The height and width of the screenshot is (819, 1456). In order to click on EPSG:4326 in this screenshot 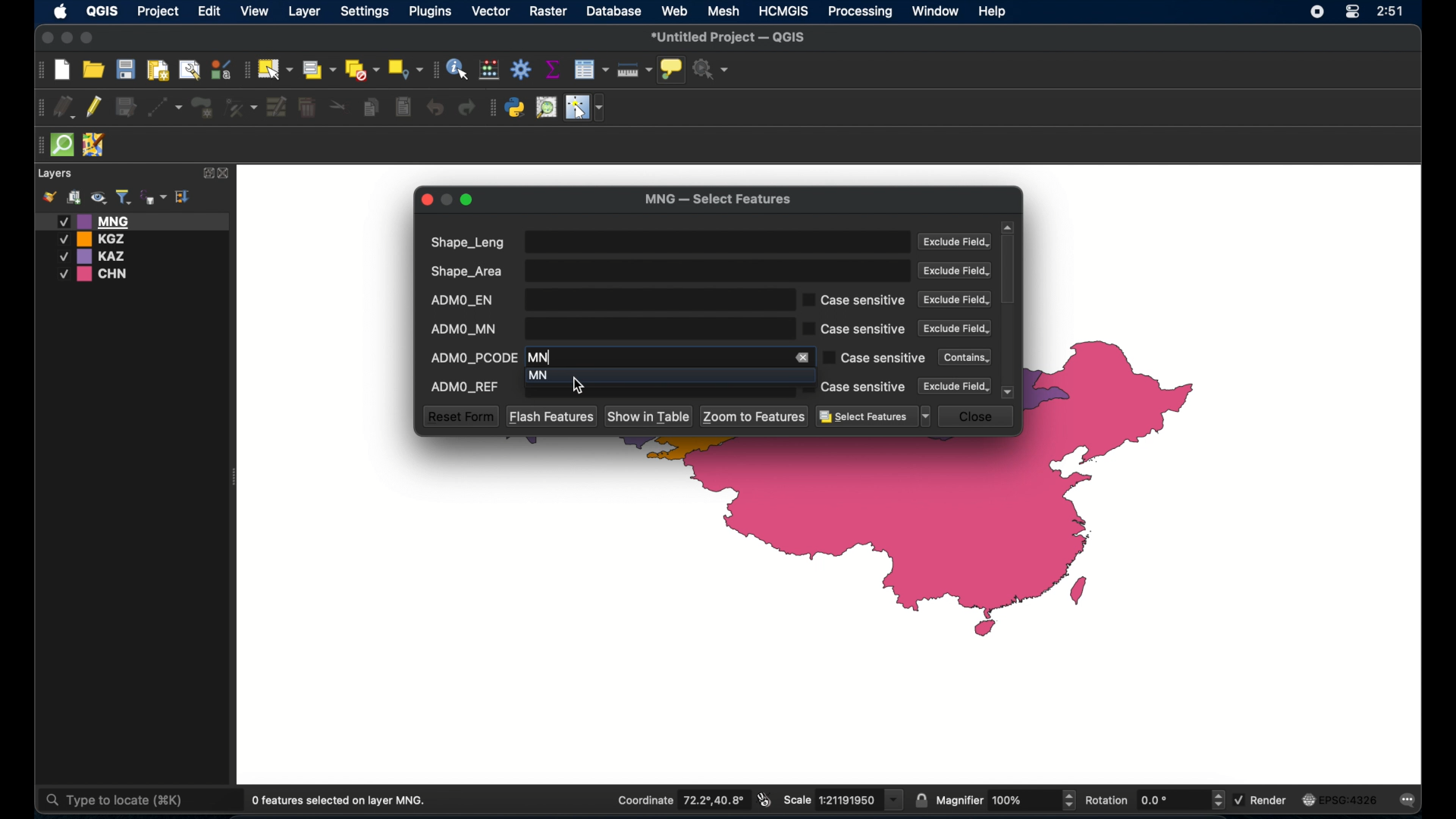, I will do `click(1341, 800)`.